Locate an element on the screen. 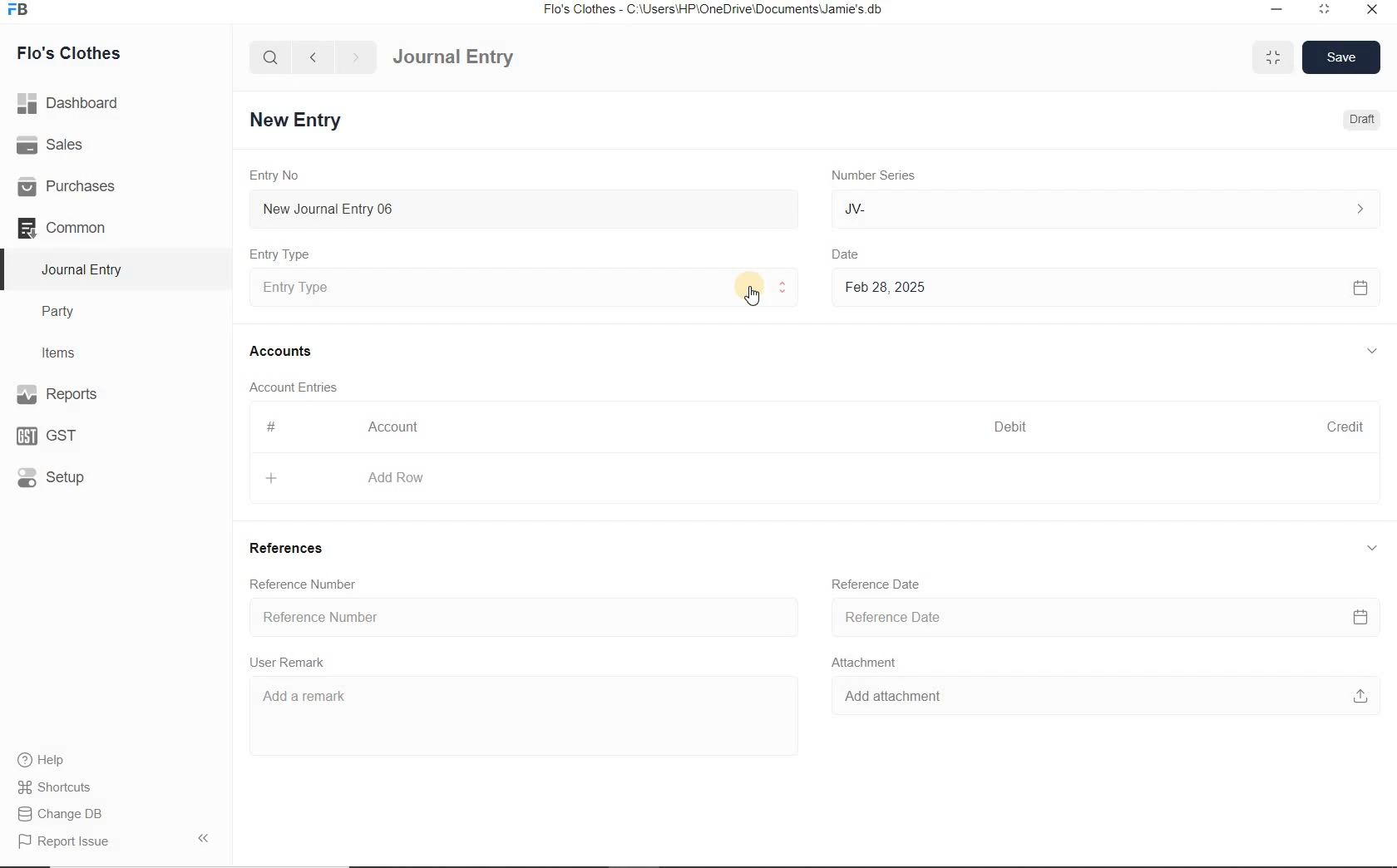  Flo's Clothes - C:\Users\HP\OneDrive\Documents\Jamie's.db is located at coordinates (714, 12).